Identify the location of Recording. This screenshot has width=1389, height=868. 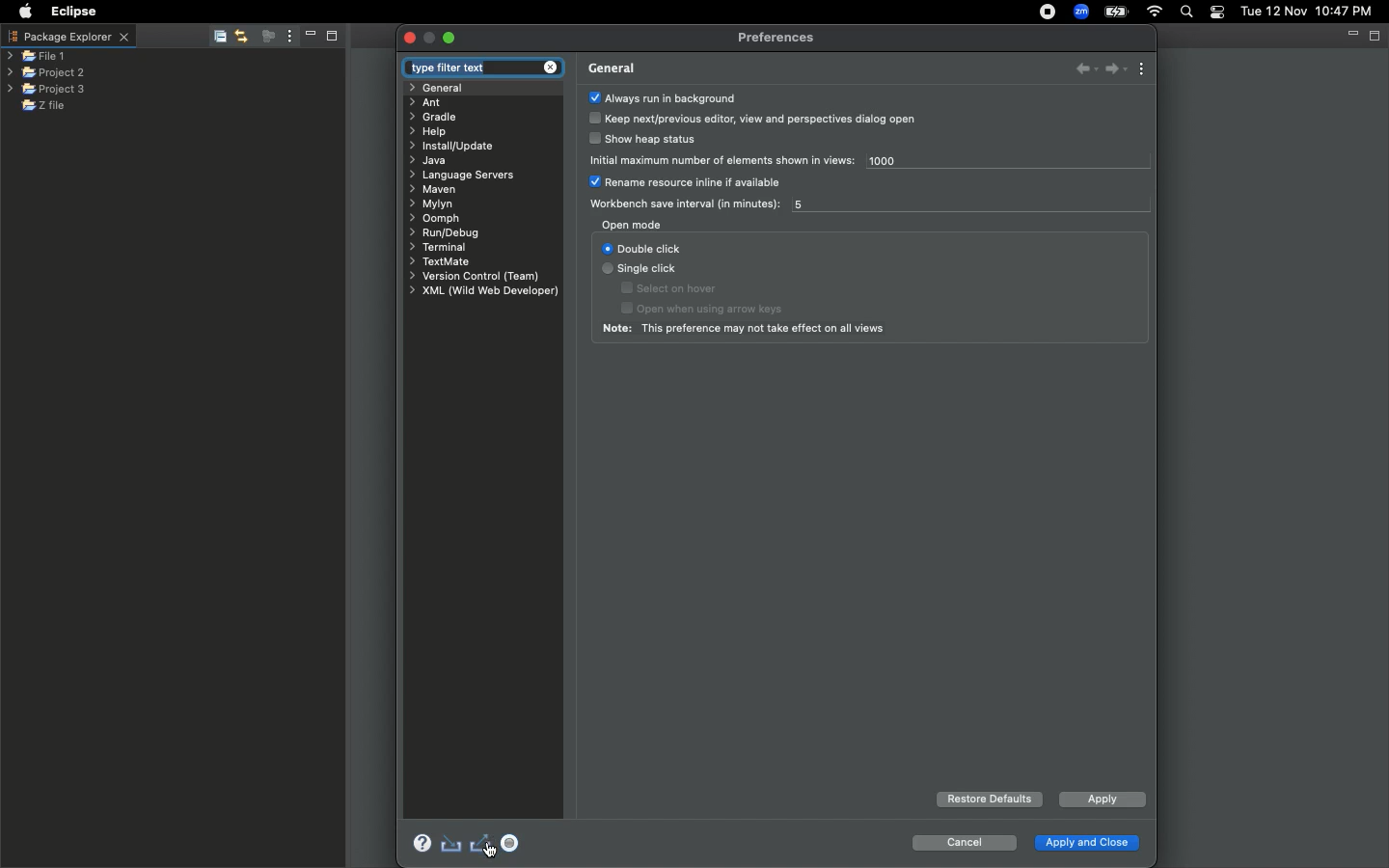
(1049, 14).